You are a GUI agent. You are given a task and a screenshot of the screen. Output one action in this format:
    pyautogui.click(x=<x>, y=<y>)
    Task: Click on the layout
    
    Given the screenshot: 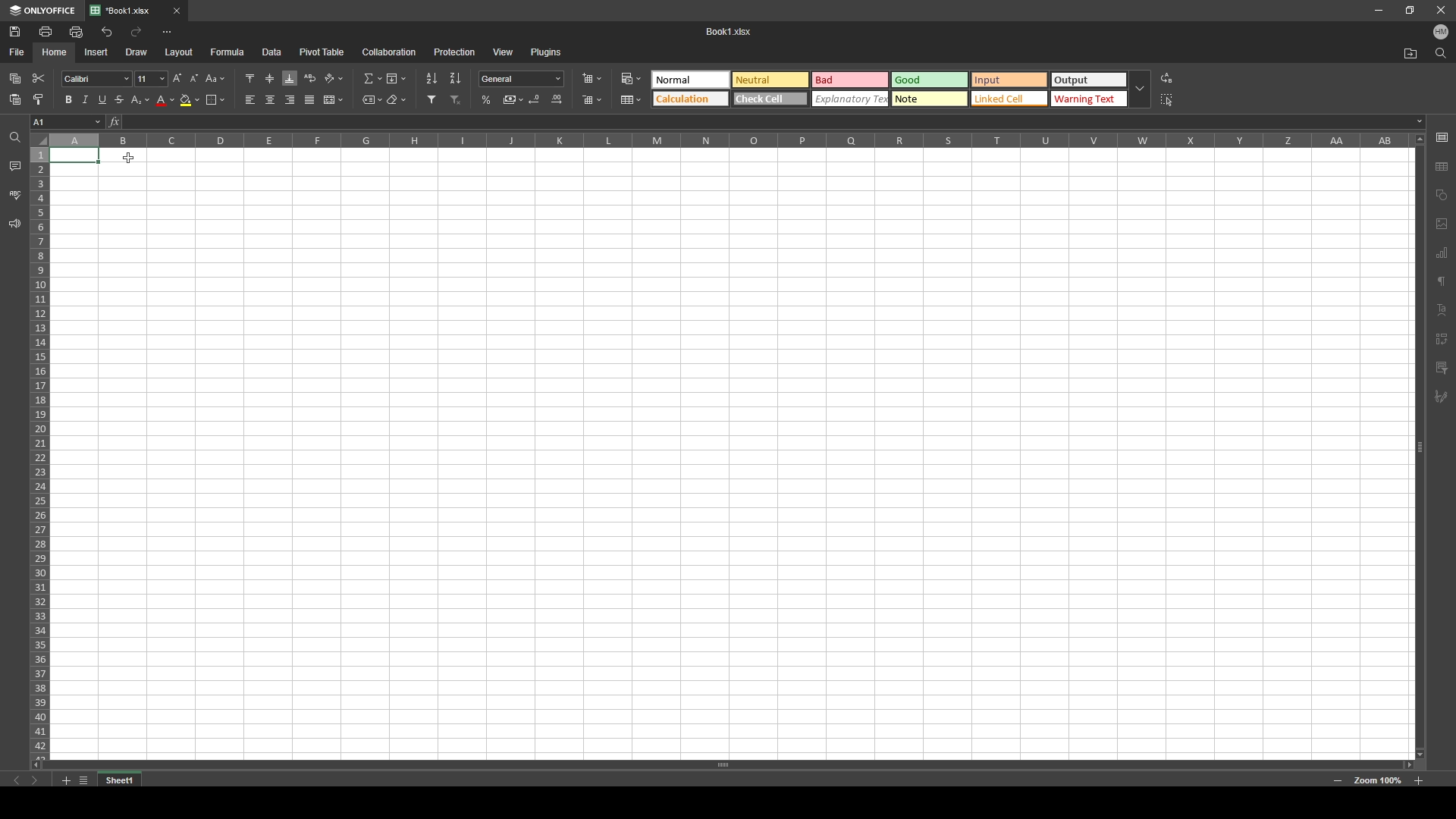 What is the action you would take?
    pyautogui.click(x=180, y=53)
    